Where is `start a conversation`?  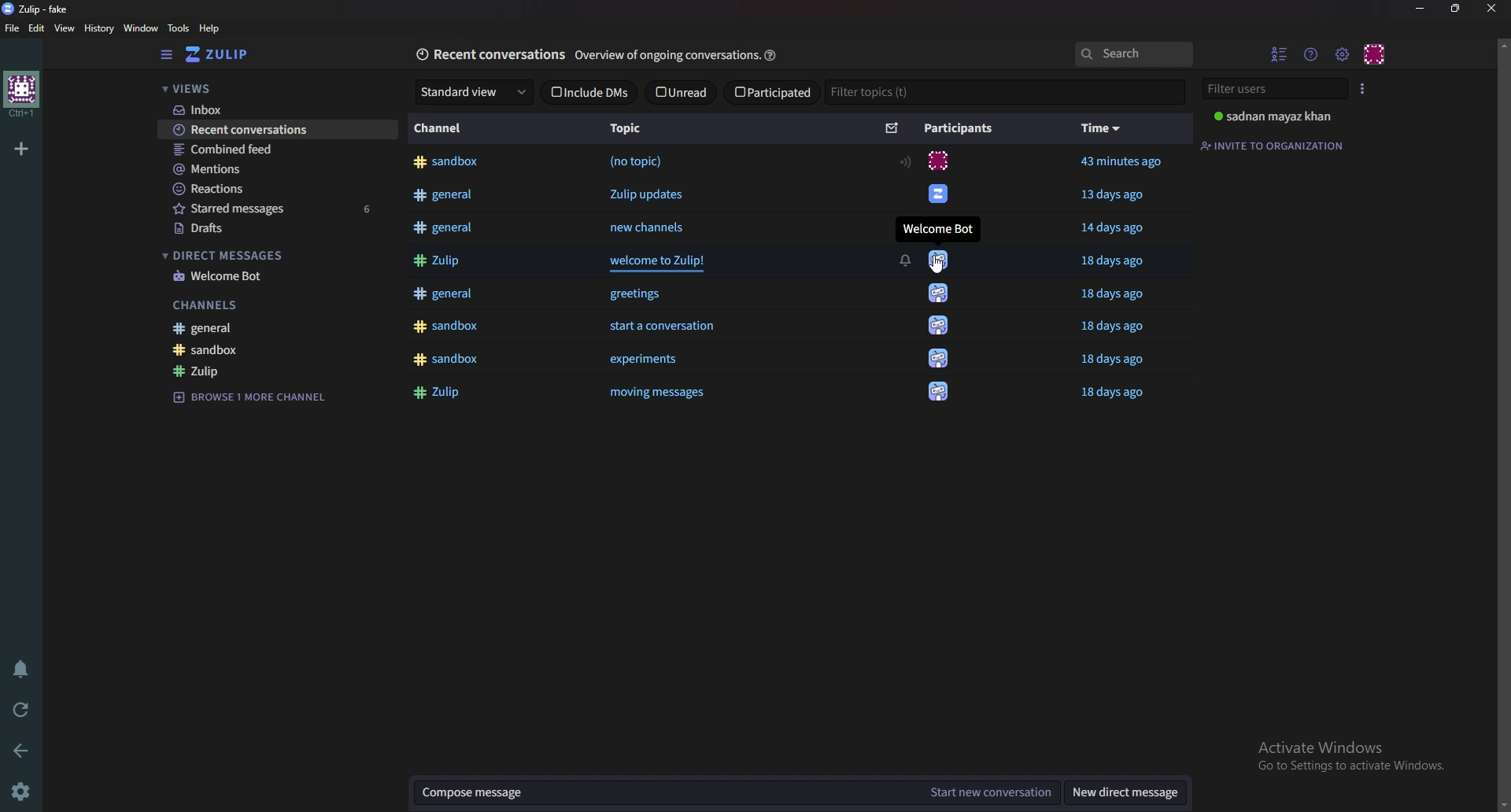
start a conversation is located at coordinates (674, 326).